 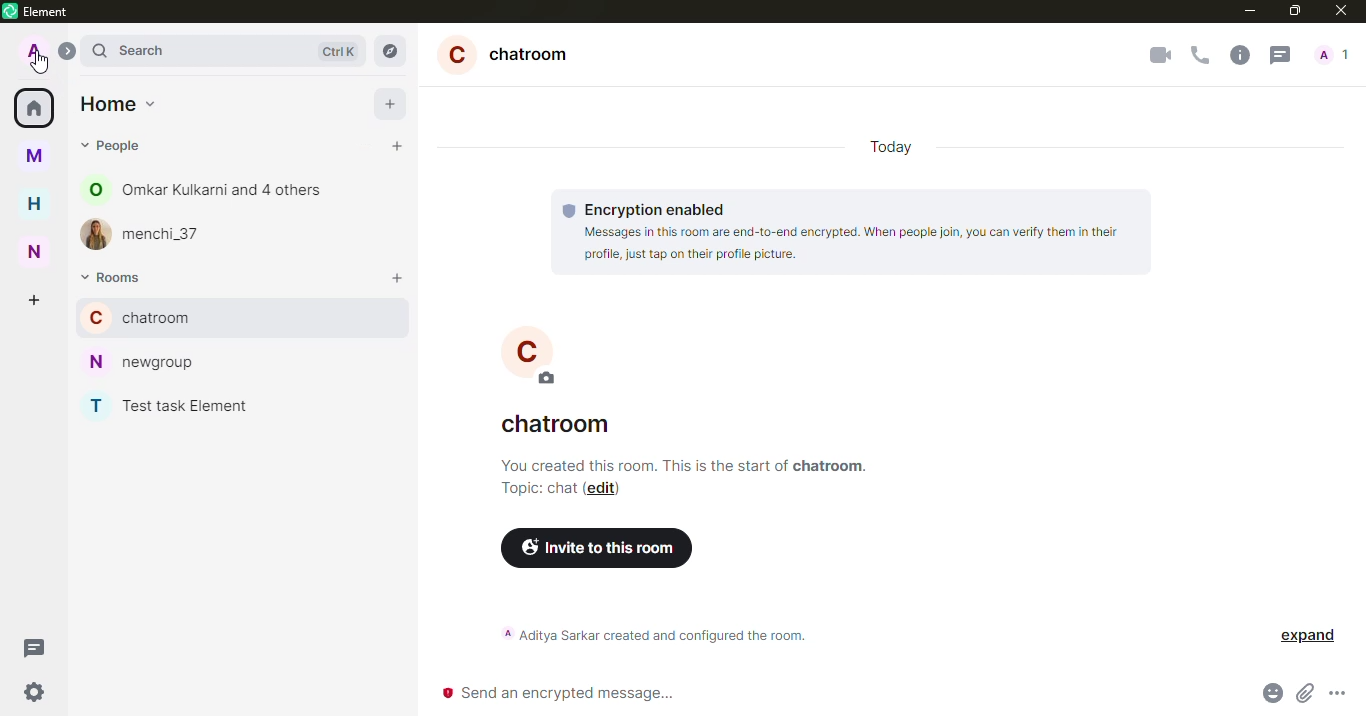 I want to click on add, so click(x=392, y=105).